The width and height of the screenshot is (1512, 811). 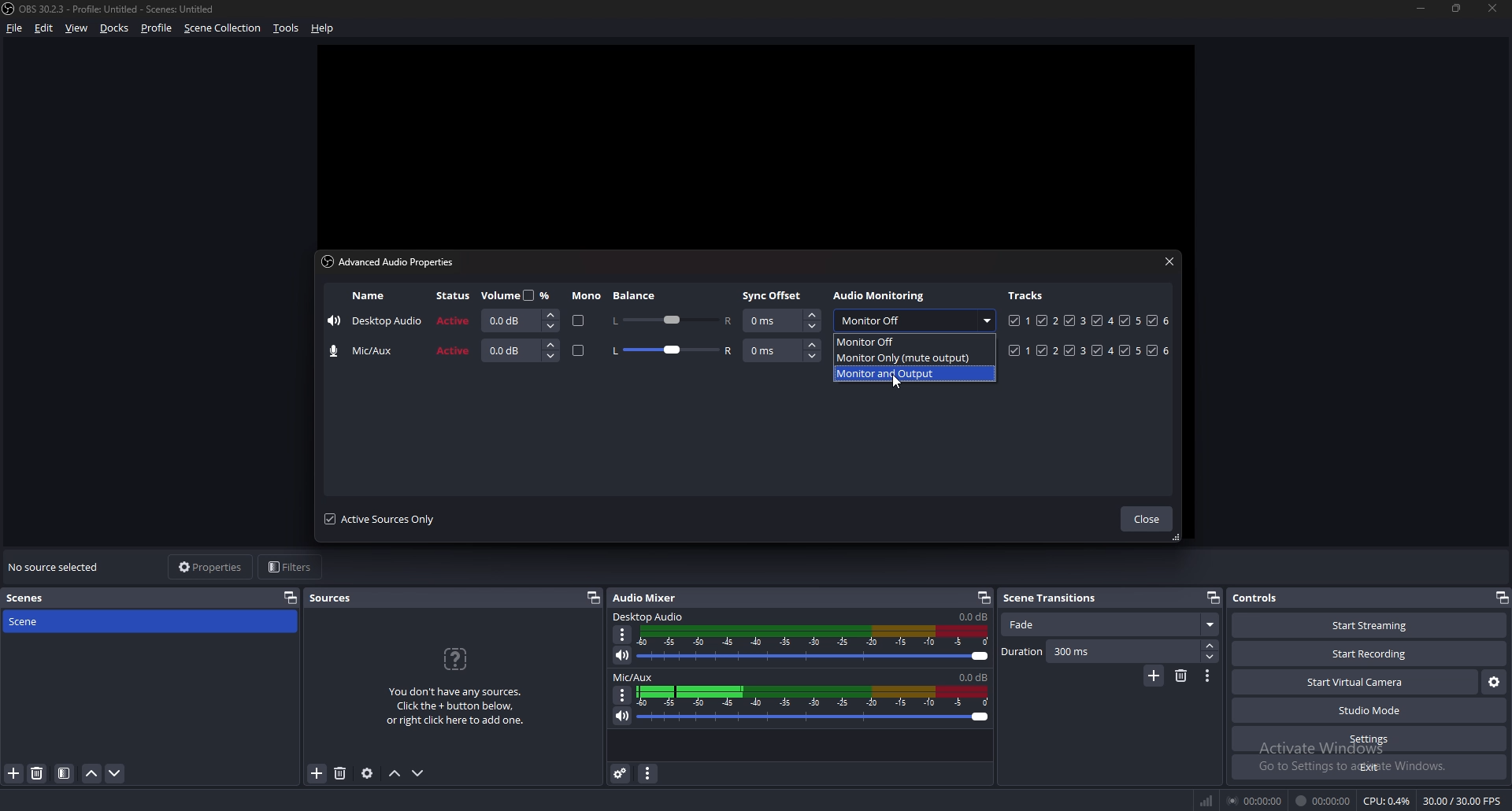 What do you see at coordinates (1387, 802) in the screenshot?
I see `CPU: 0.4%` at bounding box center [1387, 802].